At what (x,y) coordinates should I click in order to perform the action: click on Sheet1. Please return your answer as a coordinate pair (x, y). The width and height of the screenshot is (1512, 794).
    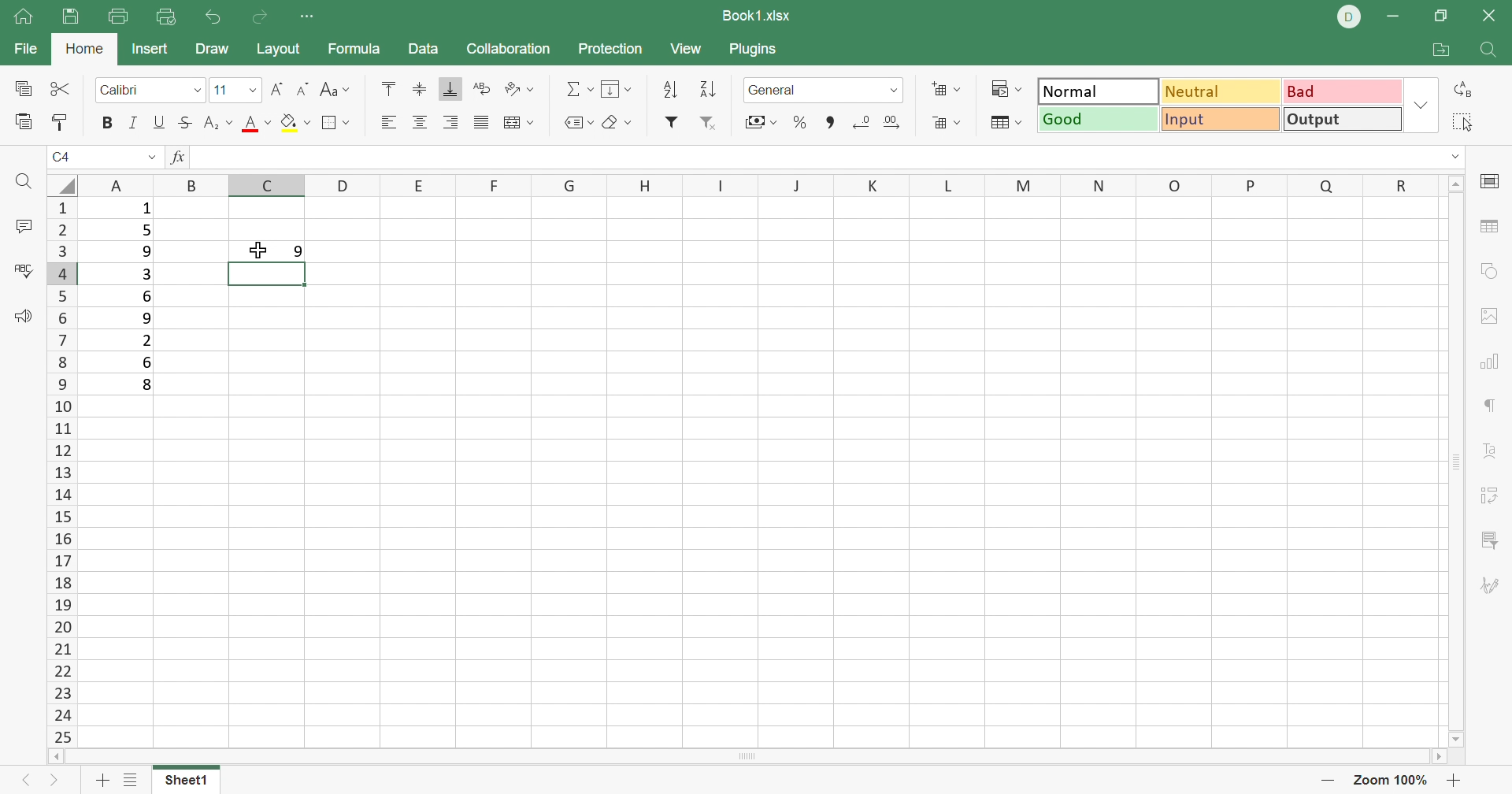
    Looking at the image, I should click on (187, 782).